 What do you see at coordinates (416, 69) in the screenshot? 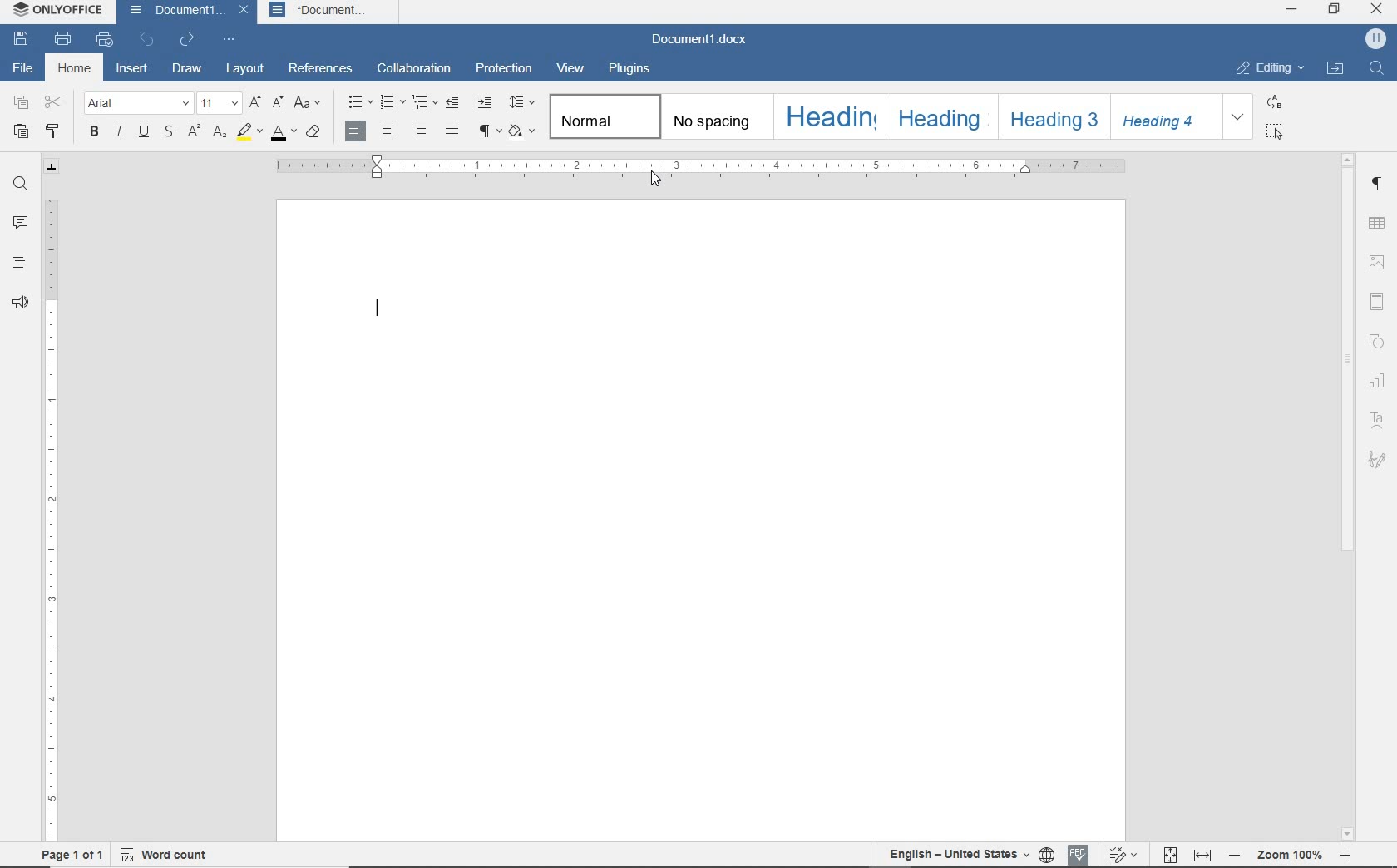
I see `COLLABORATION` at bounding box center [416, 69].